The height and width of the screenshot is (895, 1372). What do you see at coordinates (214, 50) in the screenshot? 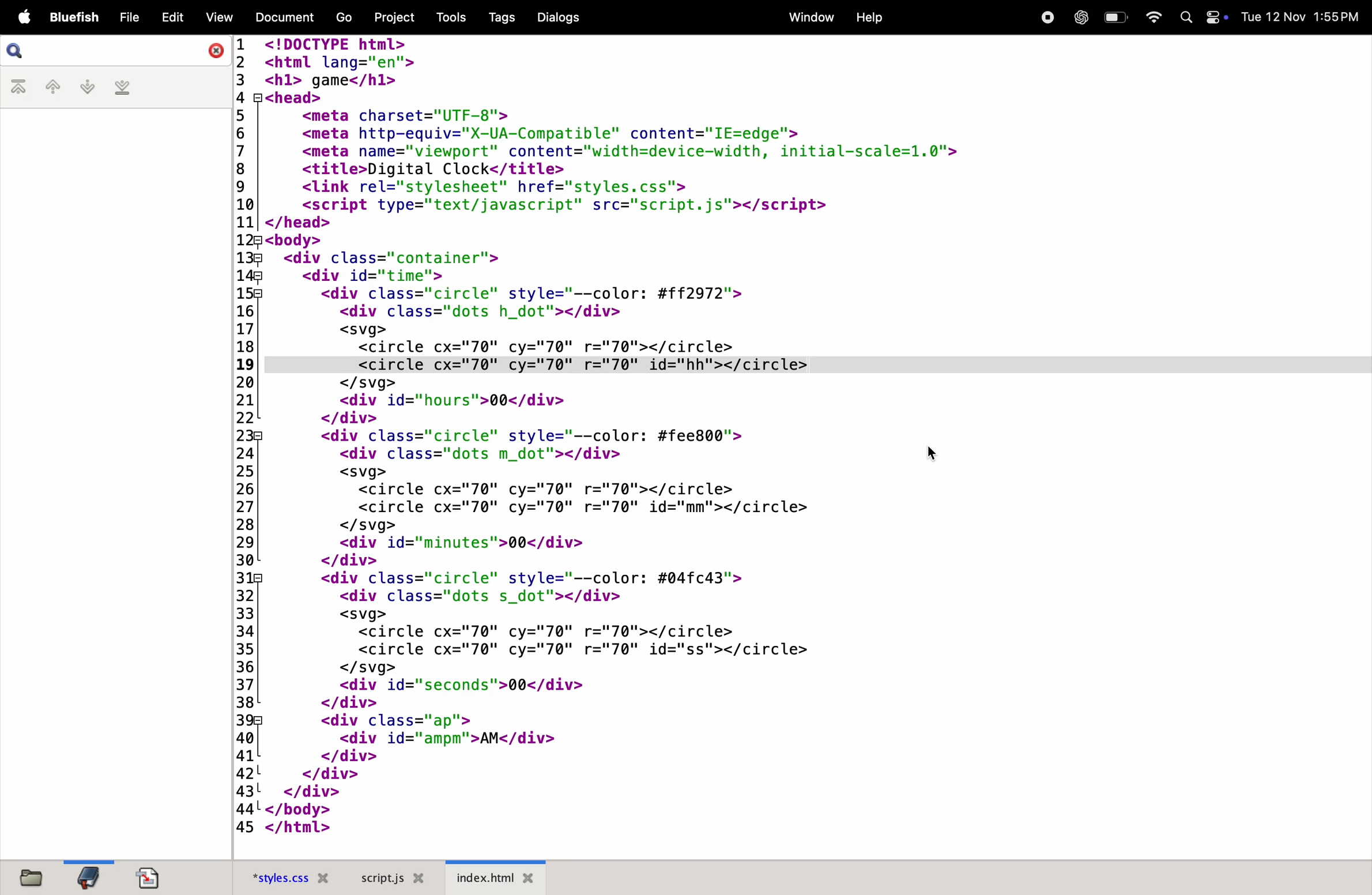
I see `close` at bounding box center [214, 50].